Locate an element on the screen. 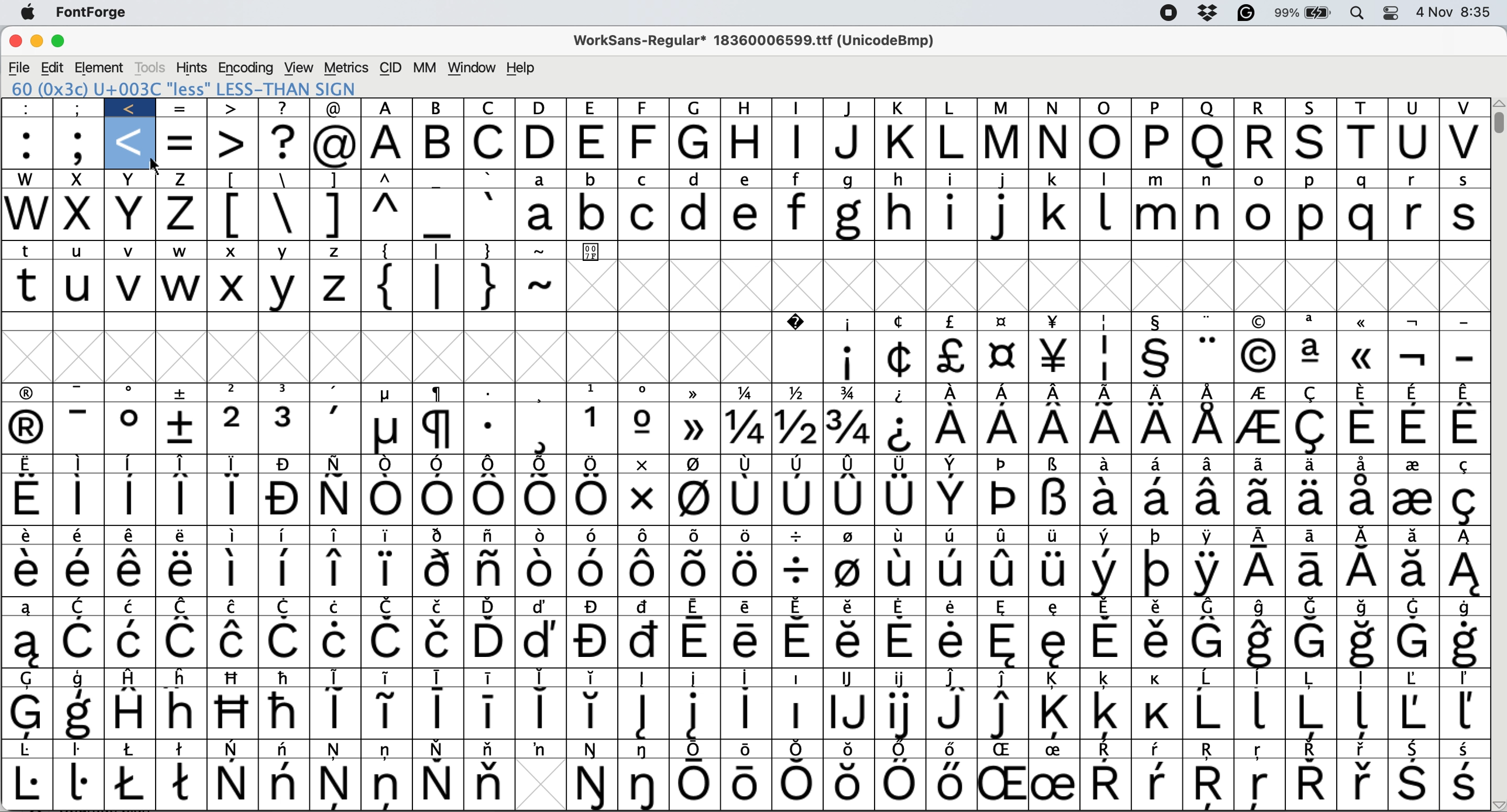 The width and height of the screenshot is (1507, 812). : is located at coordinates (27, 143).